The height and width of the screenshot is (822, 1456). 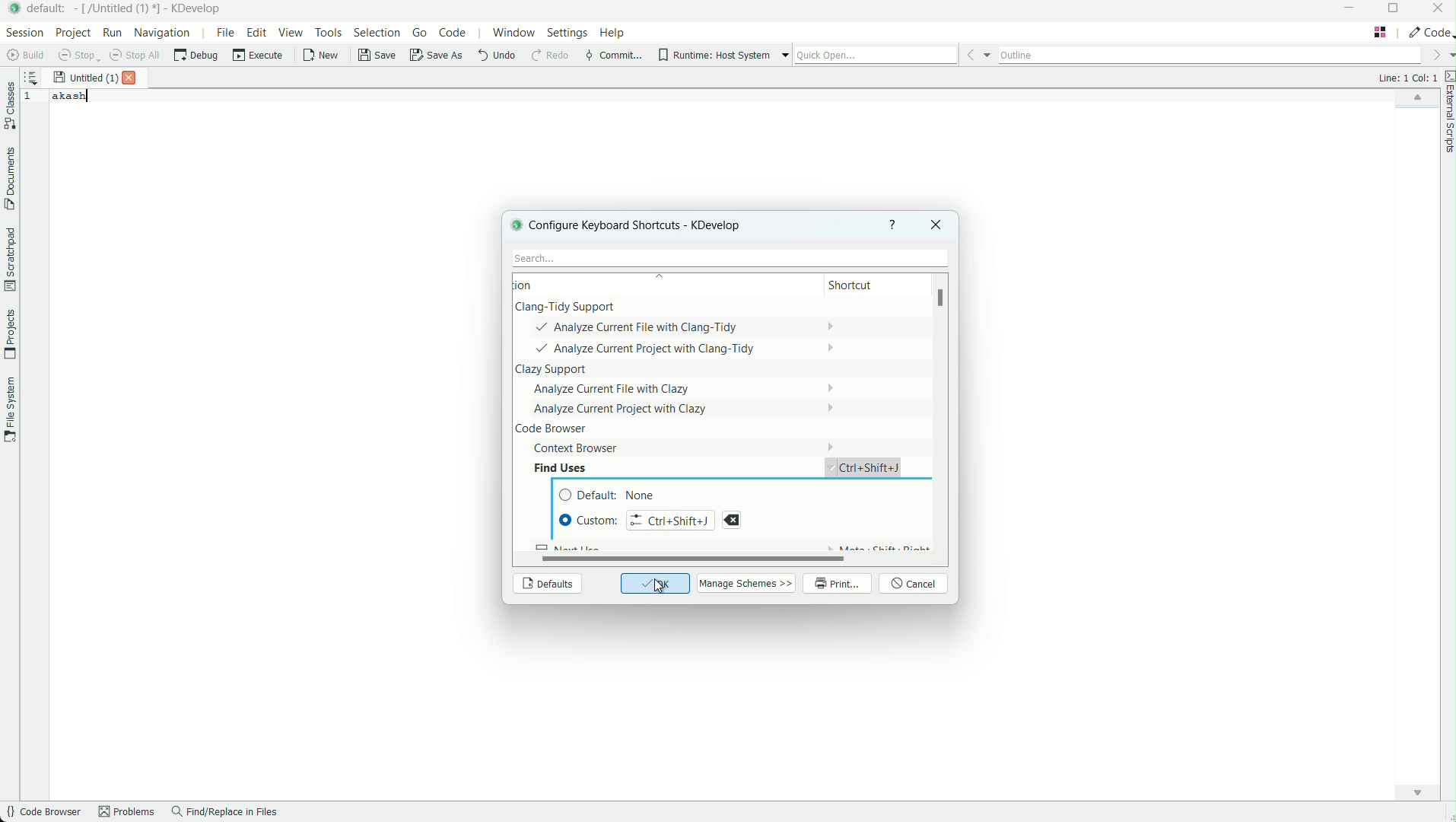 I want to click on external scripts, so click(x=1447, y=114).